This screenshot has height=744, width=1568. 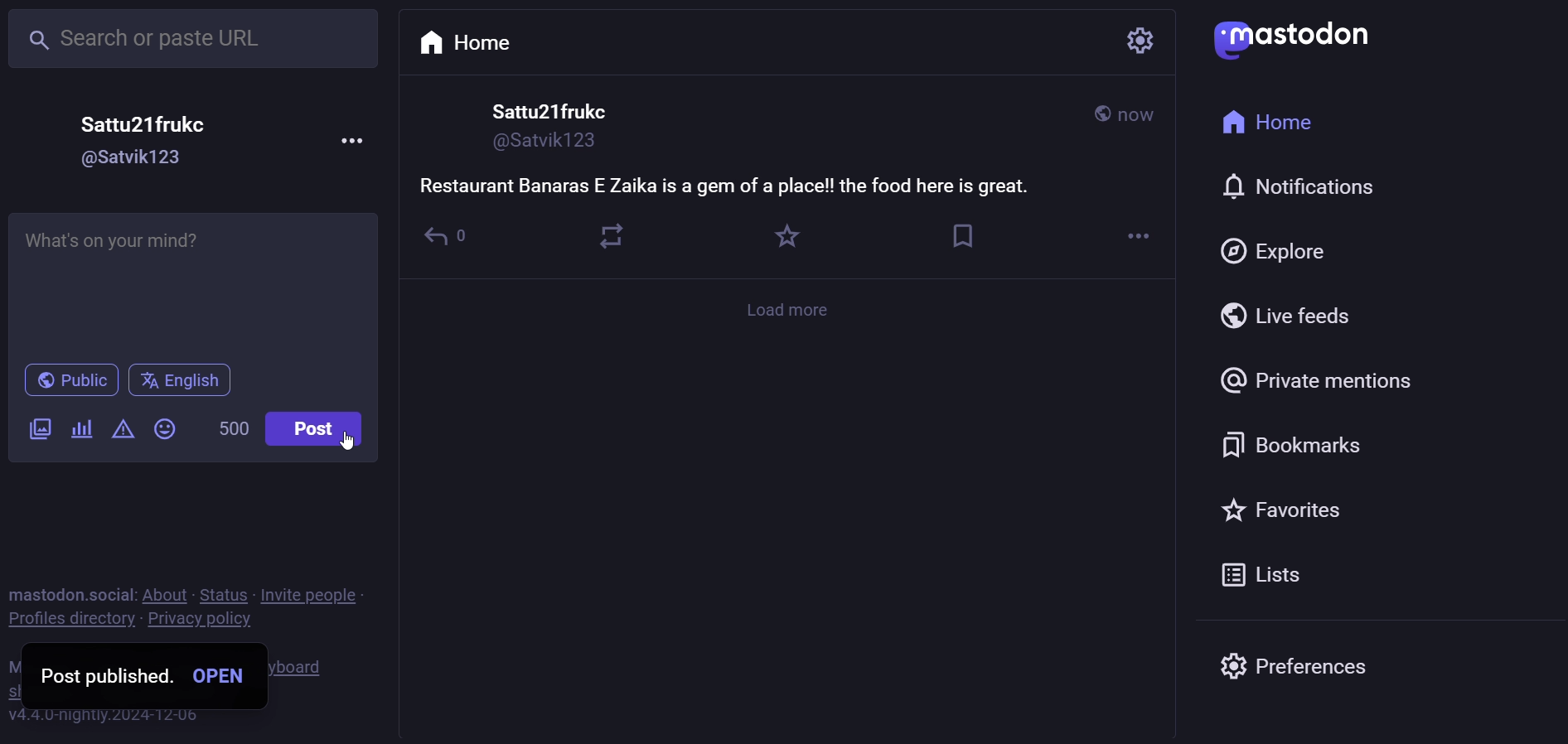 I want to click on Post, so click(x=313, y=429).